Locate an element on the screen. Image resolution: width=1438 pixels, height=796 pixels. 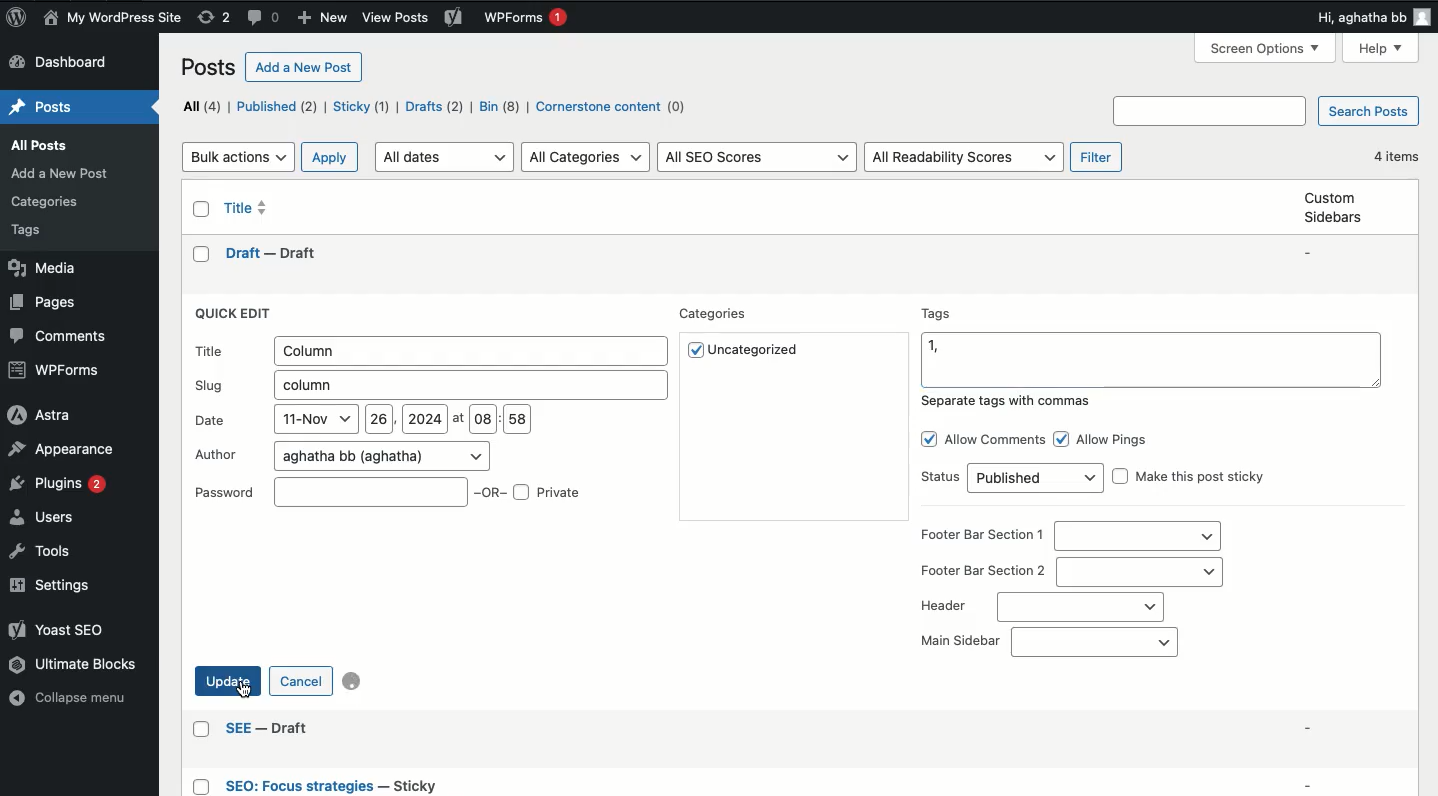
 is located at coordinates (411, 785).